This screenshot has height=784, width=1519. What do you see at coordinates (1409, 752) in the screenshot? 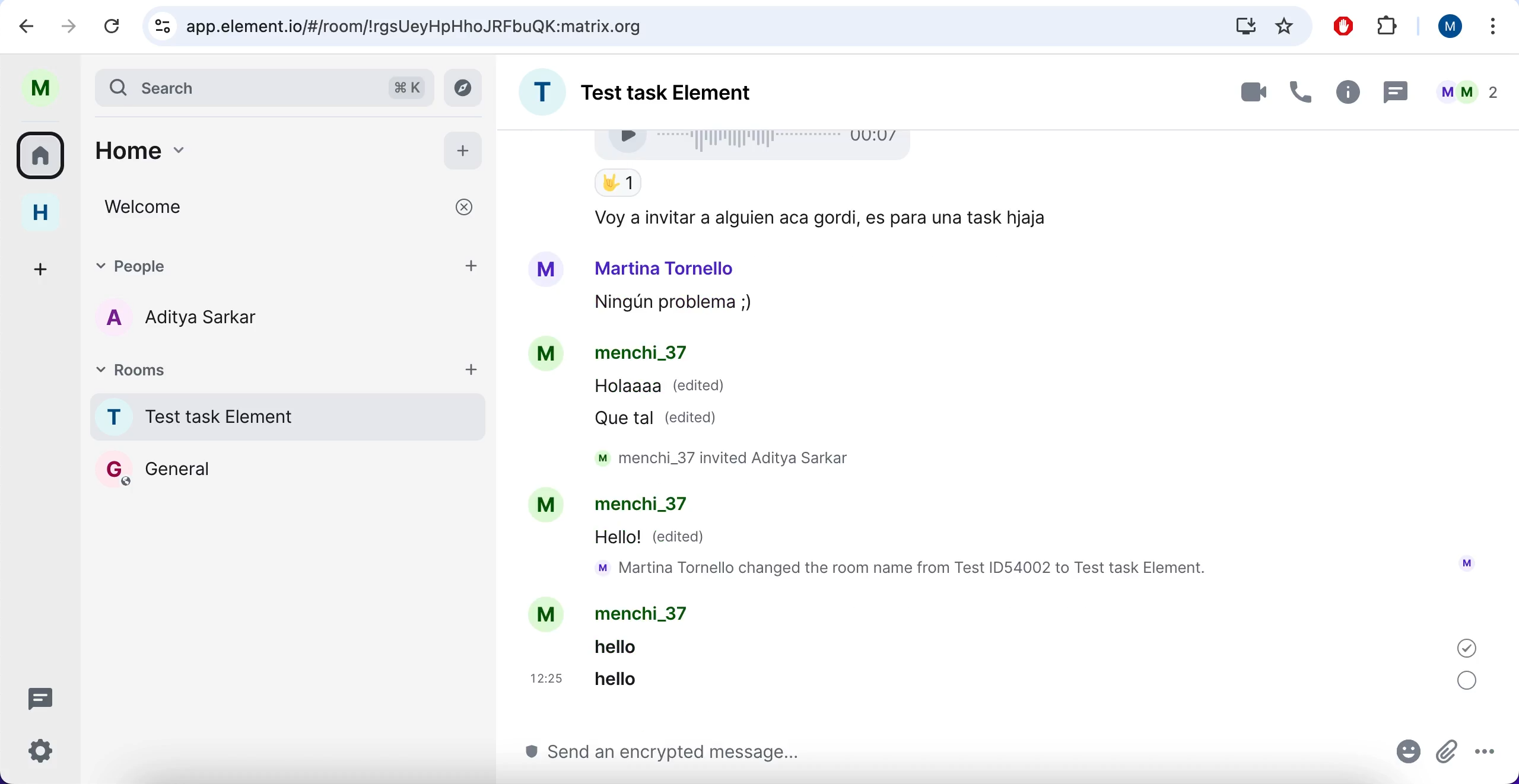
I see `emoji` at bounding box center [1409, 752].